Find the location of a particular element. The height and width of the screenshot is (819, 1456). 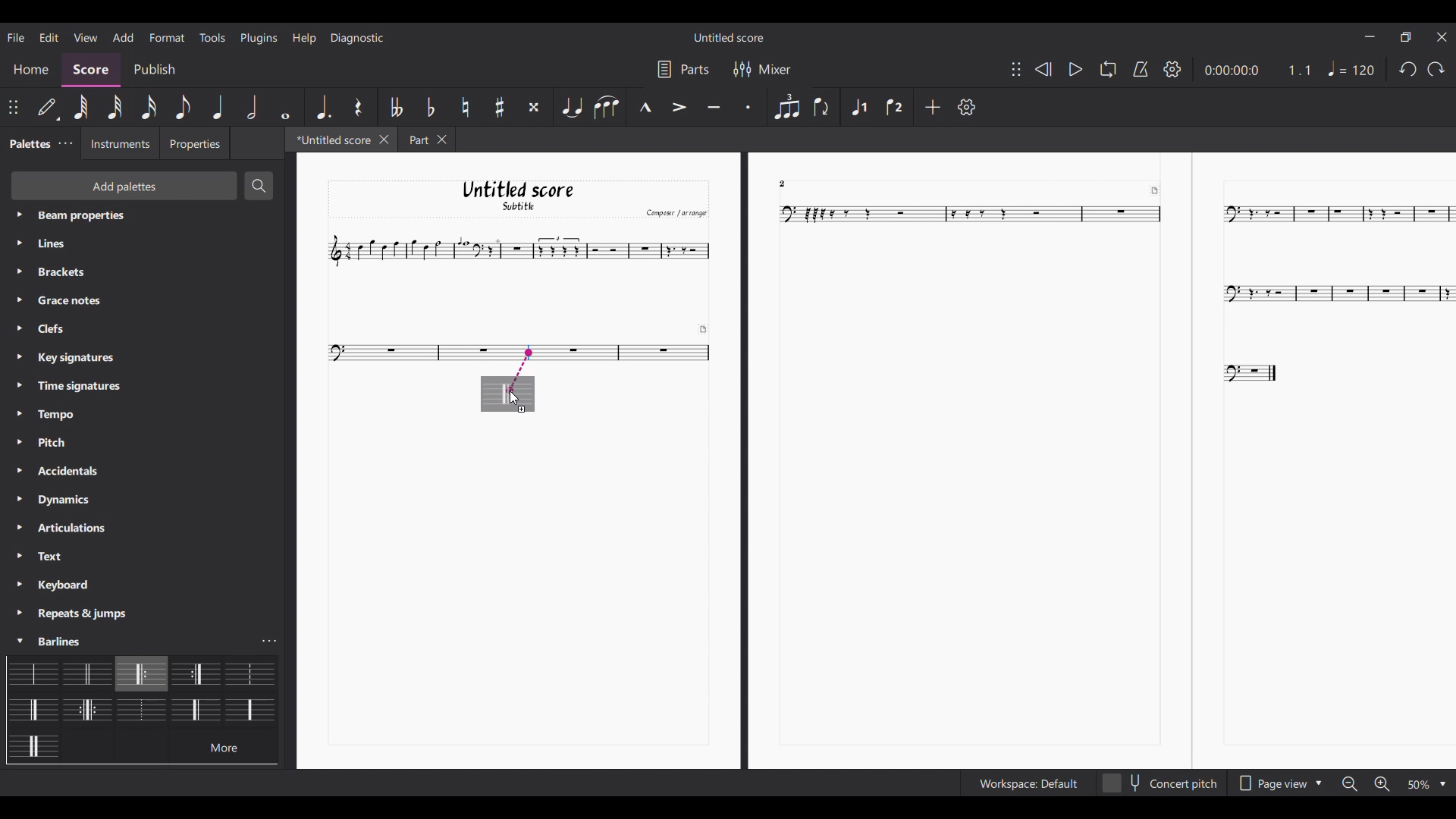

Palette settings is located at coordinates (89, 218).